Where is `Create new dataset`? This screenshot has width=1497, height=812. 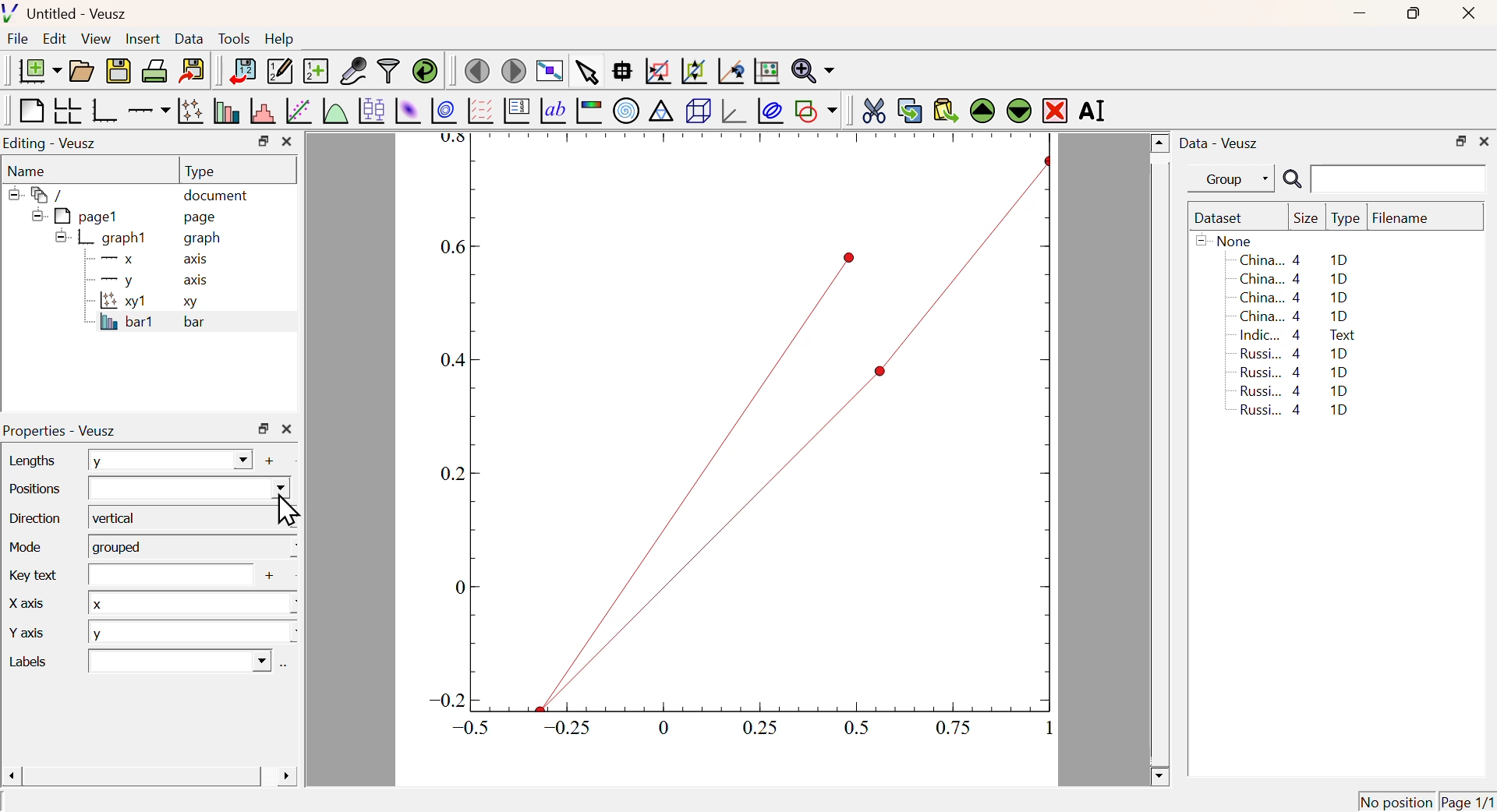
Create new dataset is located at coordinates (315, 72).